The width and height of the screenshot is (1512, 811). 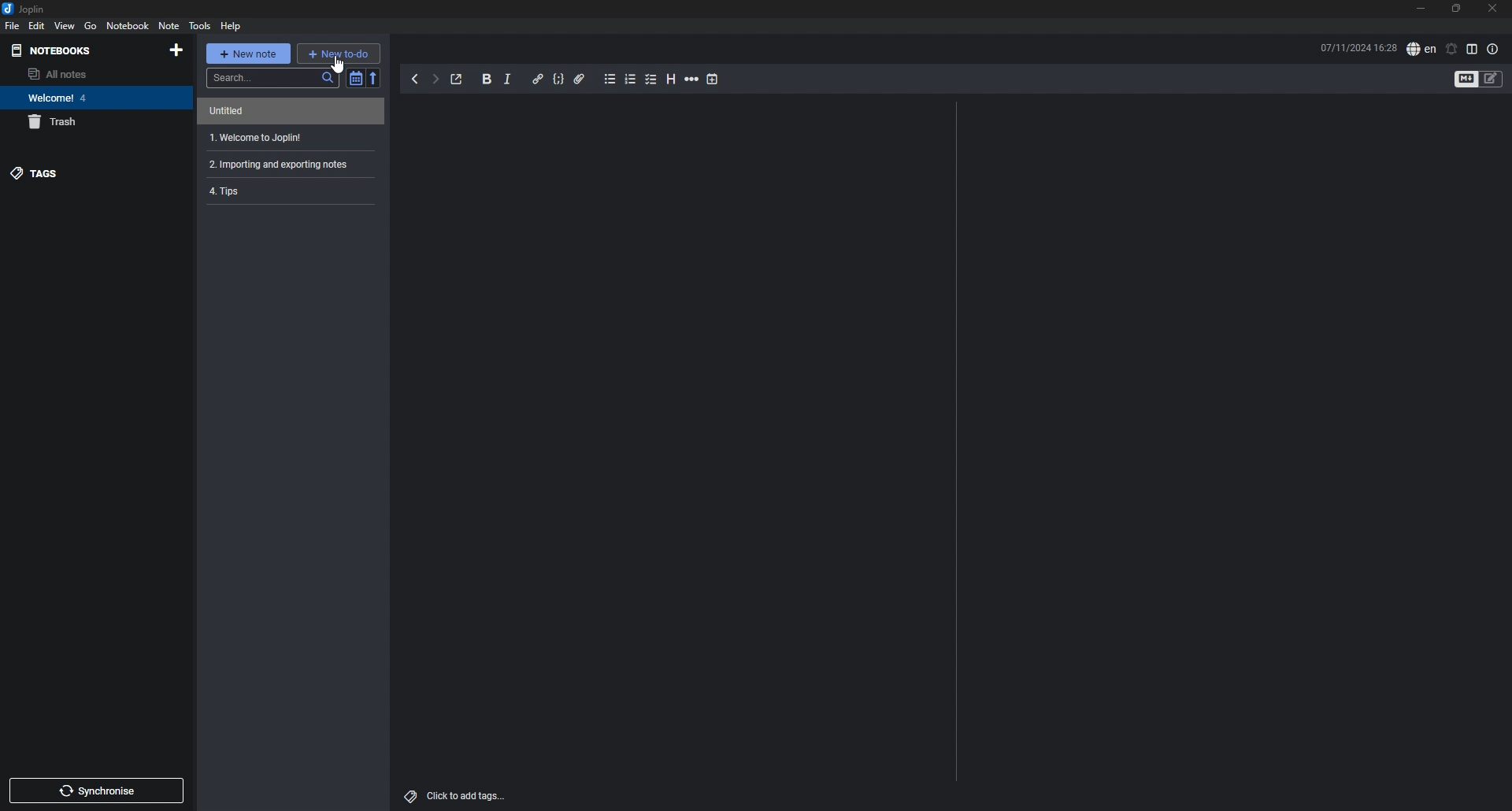 What do you see at coordinates (580, 80) in the screenshot?
I see `attachment` at bounding box center [580, 80].